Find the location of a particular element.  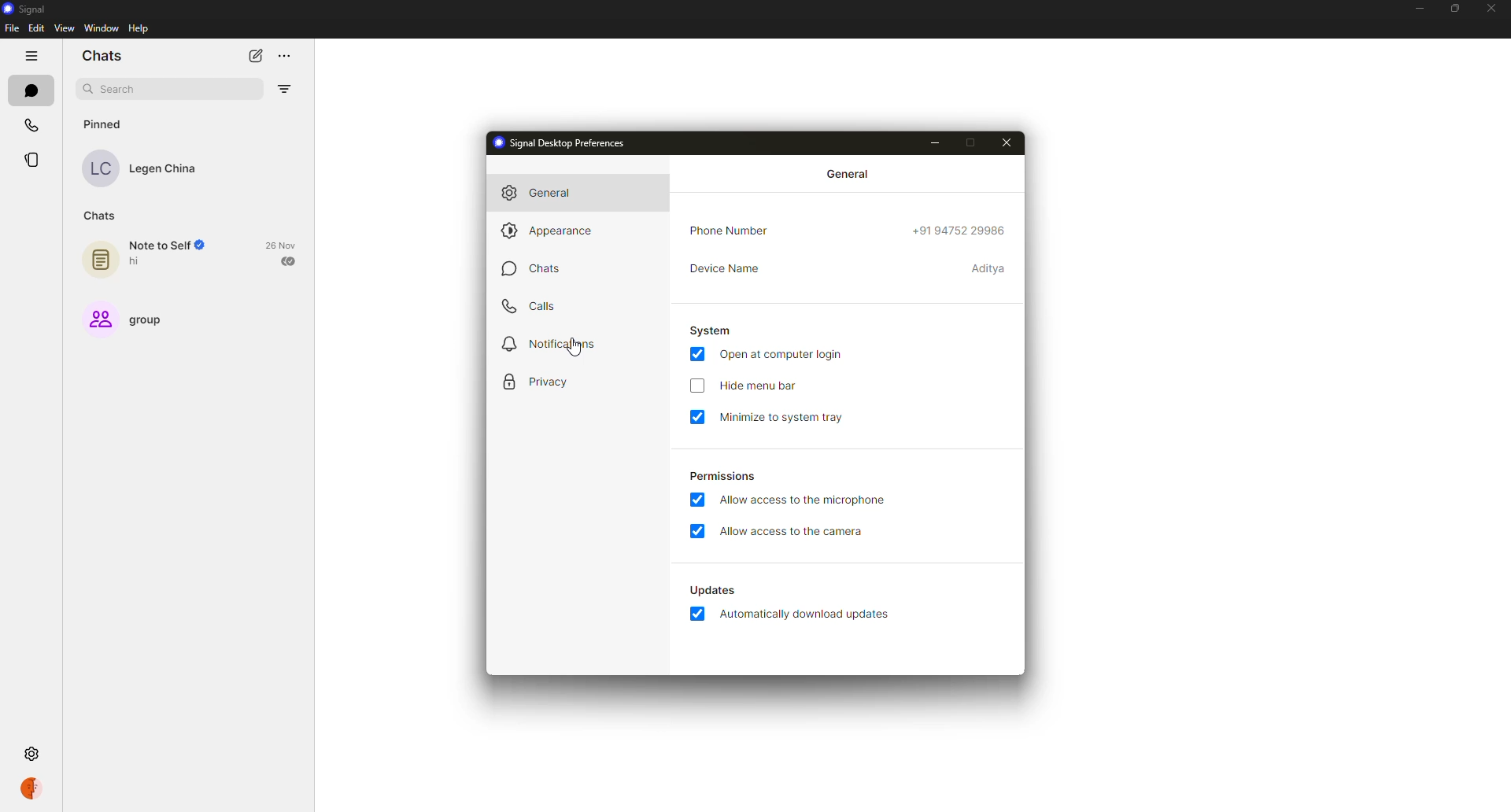

minimize is located at coordinates (932, 141).